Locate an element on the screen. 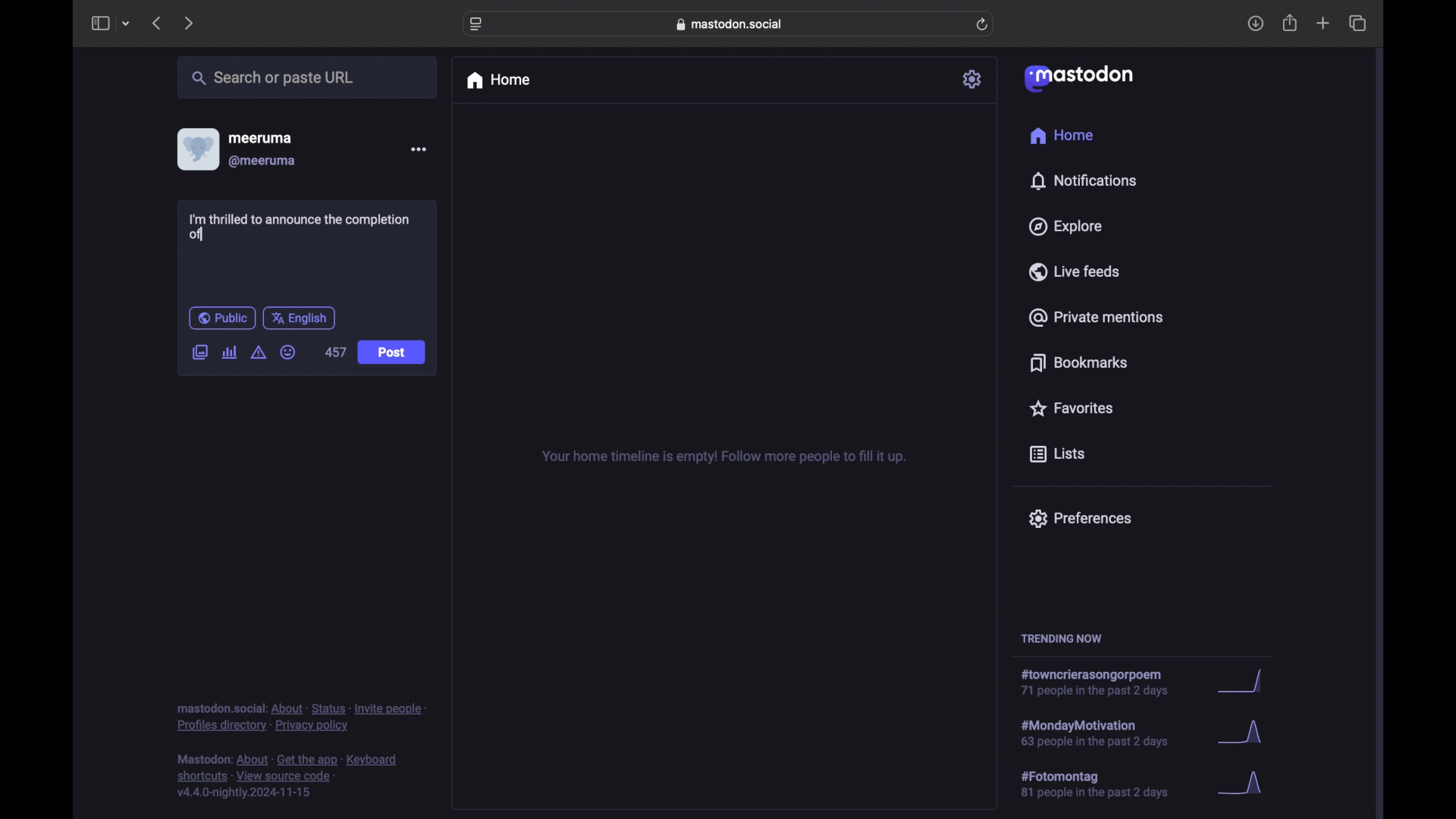  hashtag trend is located at coordinates (1100, 682).